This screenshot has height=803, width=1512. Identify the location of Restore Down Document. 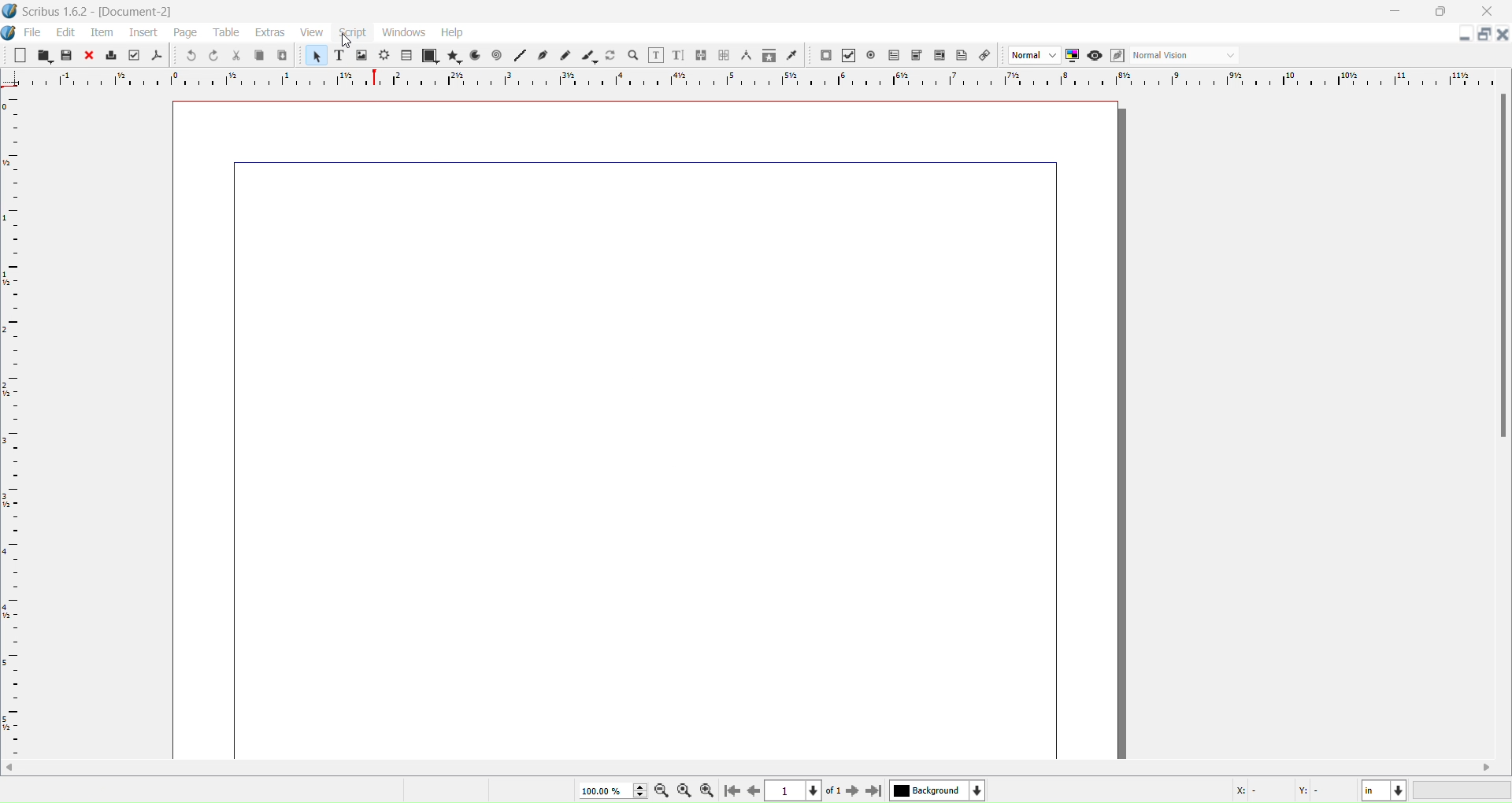
(1483, 36).